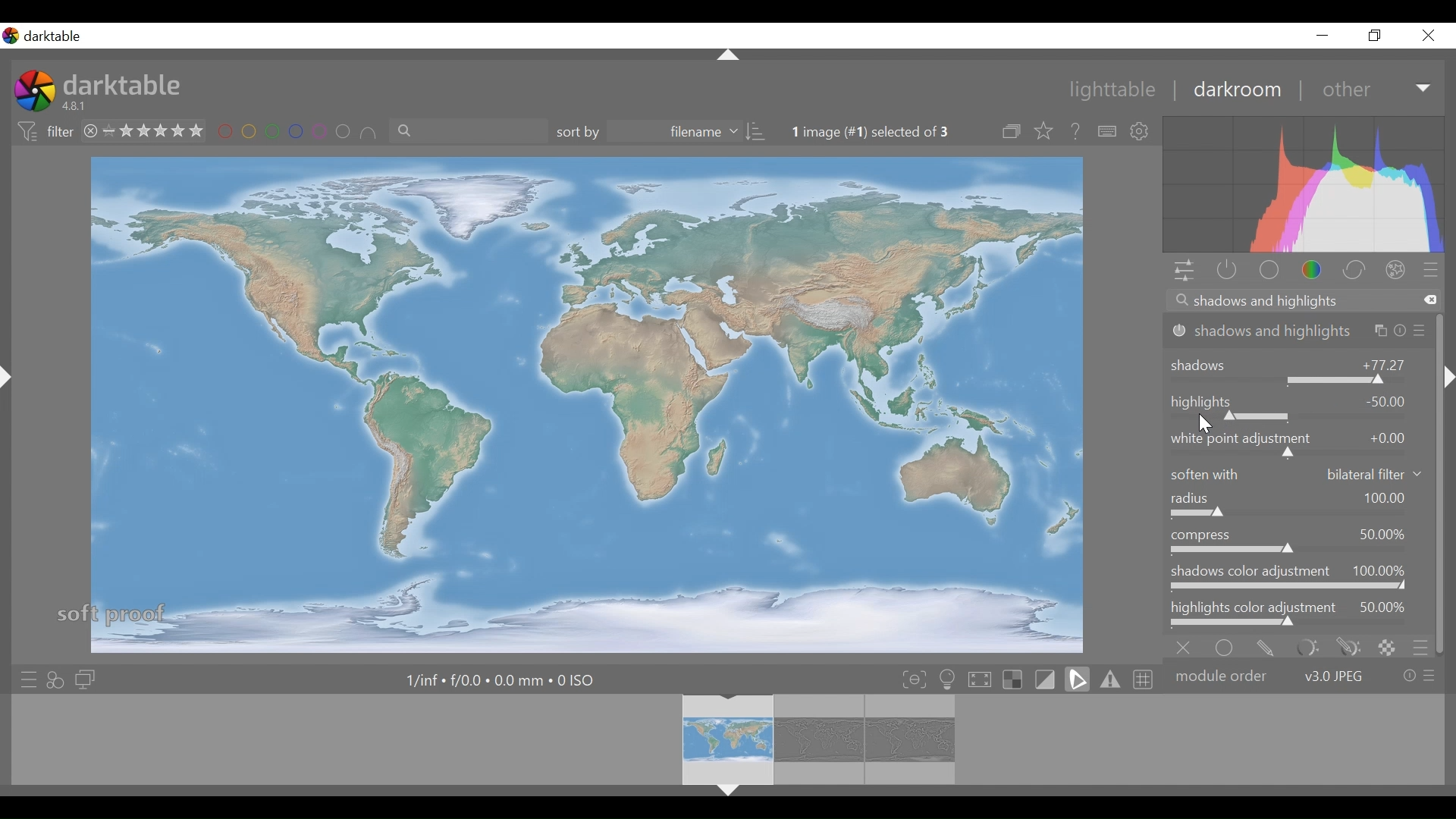 The width and height of the screenshot is (1456, 819). I want to click on toggle indication of raw overexposure, so click(1015, 680).